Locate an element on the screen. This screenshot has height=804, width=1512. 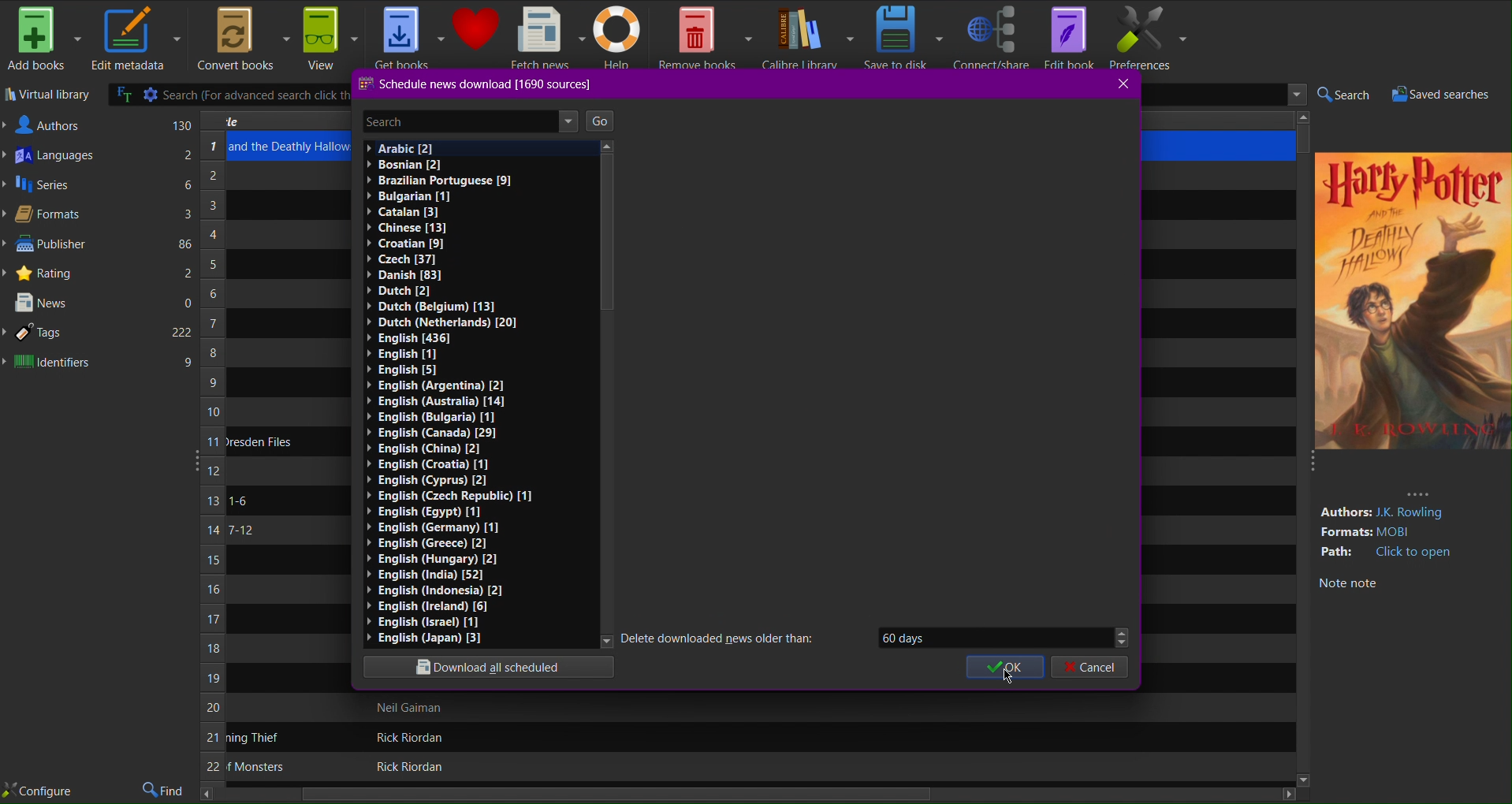
Entery number is located at coordinates (212, 459).